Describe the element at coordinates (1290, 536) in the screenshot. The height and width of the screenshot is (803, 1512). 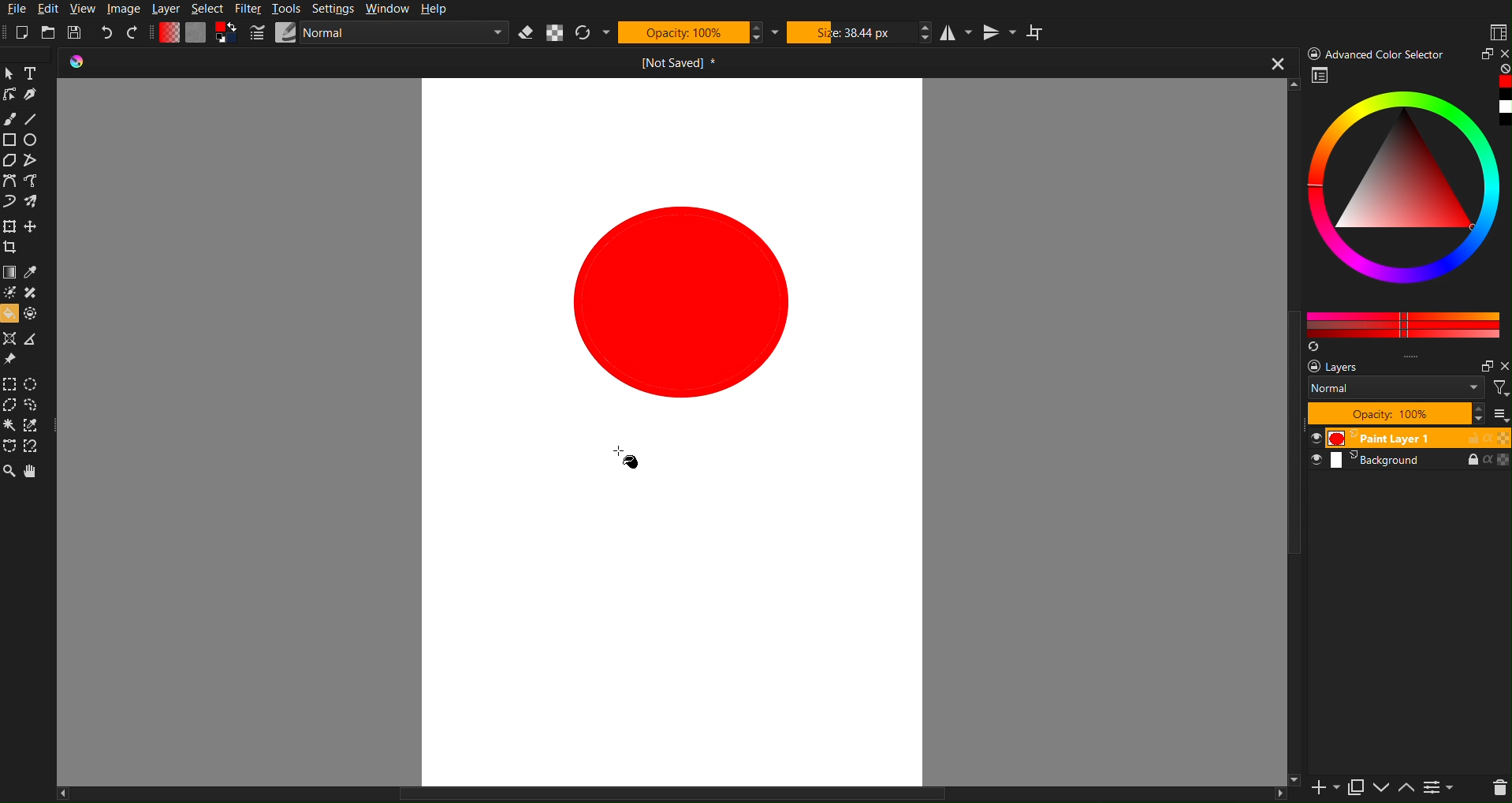
I see `Vertical Scrollbar` at that location.